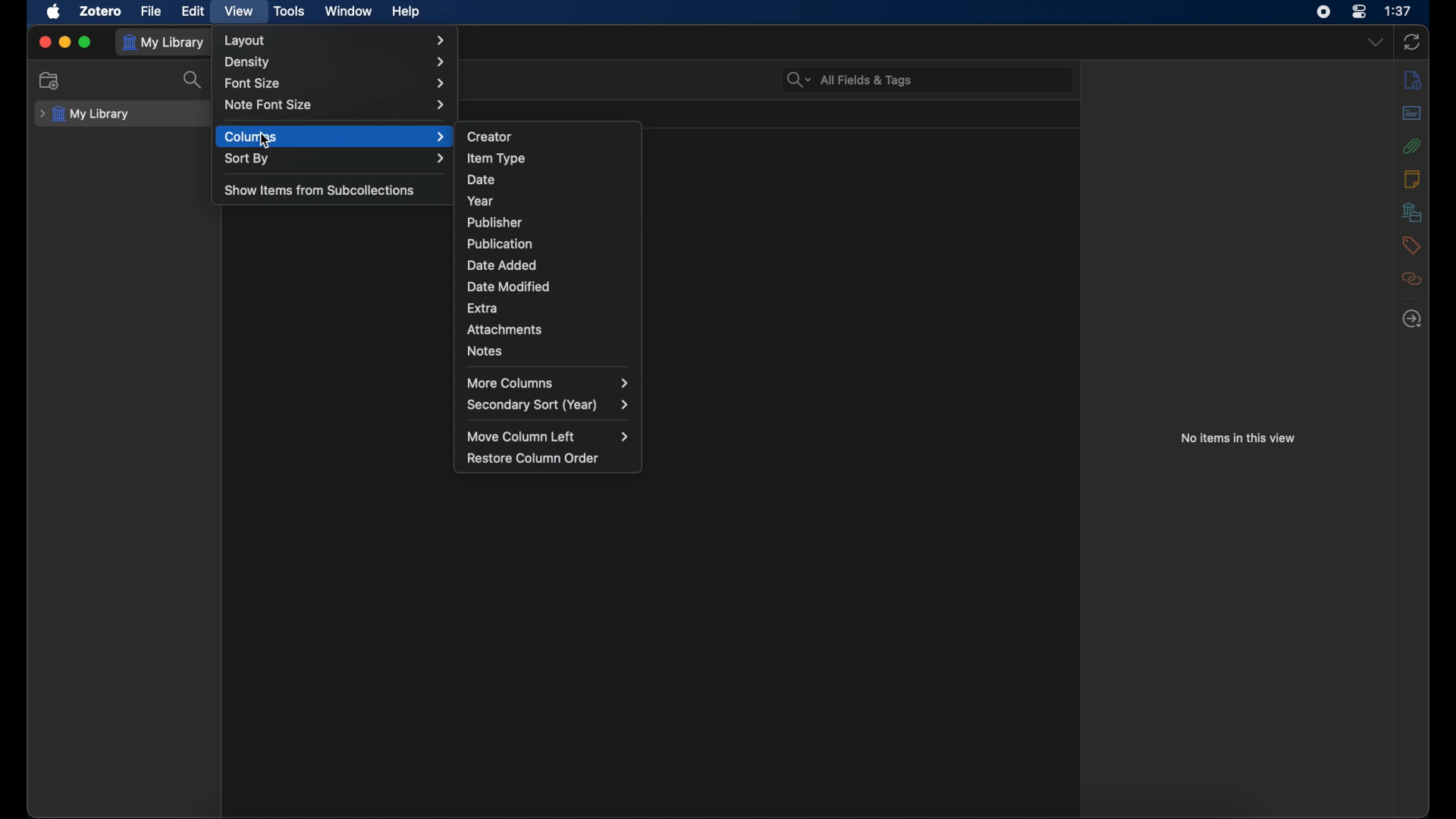  What do you see at coordinates (336, 83) in the screenshot?
I see `font size` at bounding box center [336, 83].